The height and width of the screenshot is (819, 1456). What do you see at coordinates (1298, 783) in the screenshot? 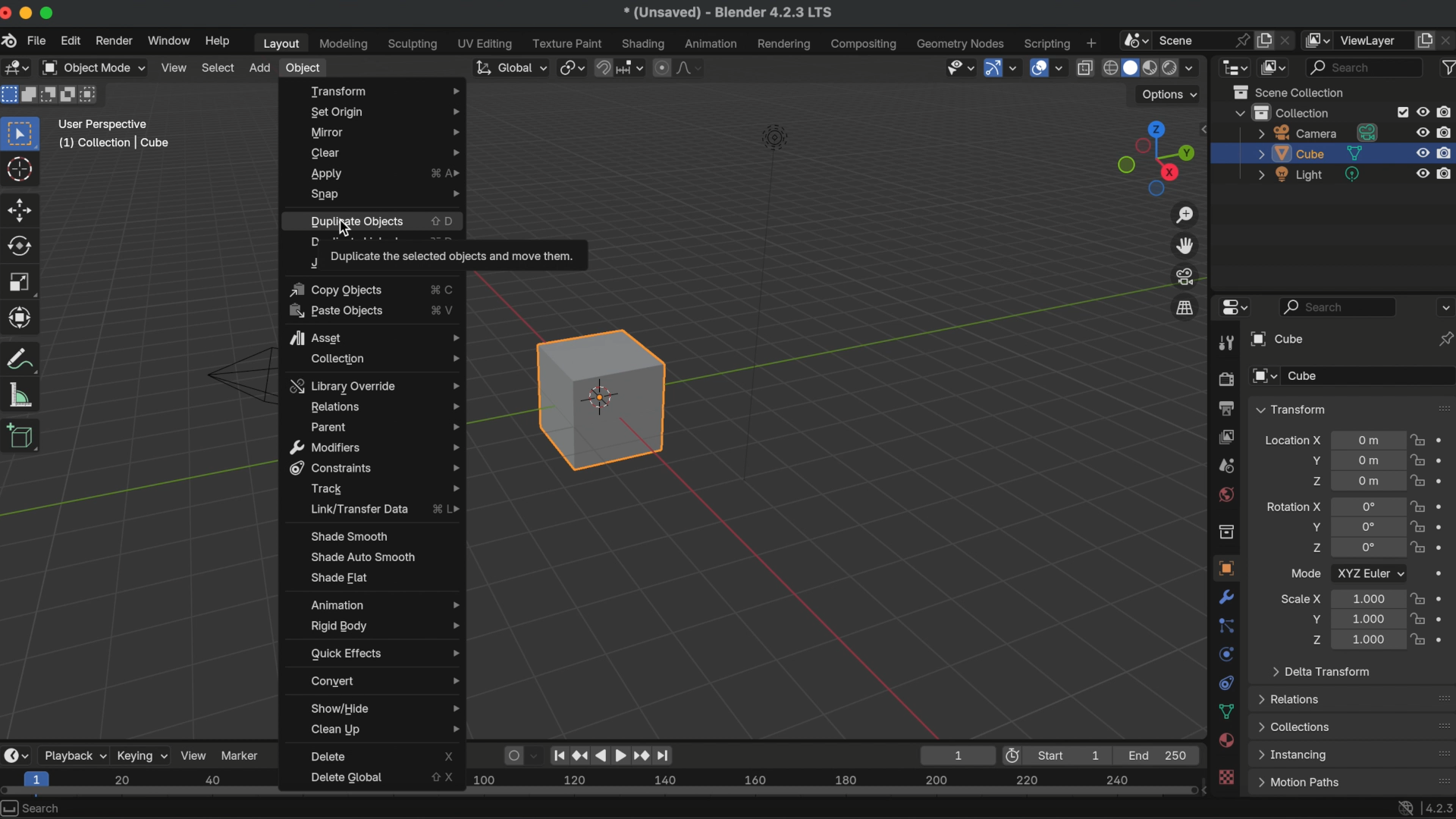
I see `` at bounding box center [1298, 783].